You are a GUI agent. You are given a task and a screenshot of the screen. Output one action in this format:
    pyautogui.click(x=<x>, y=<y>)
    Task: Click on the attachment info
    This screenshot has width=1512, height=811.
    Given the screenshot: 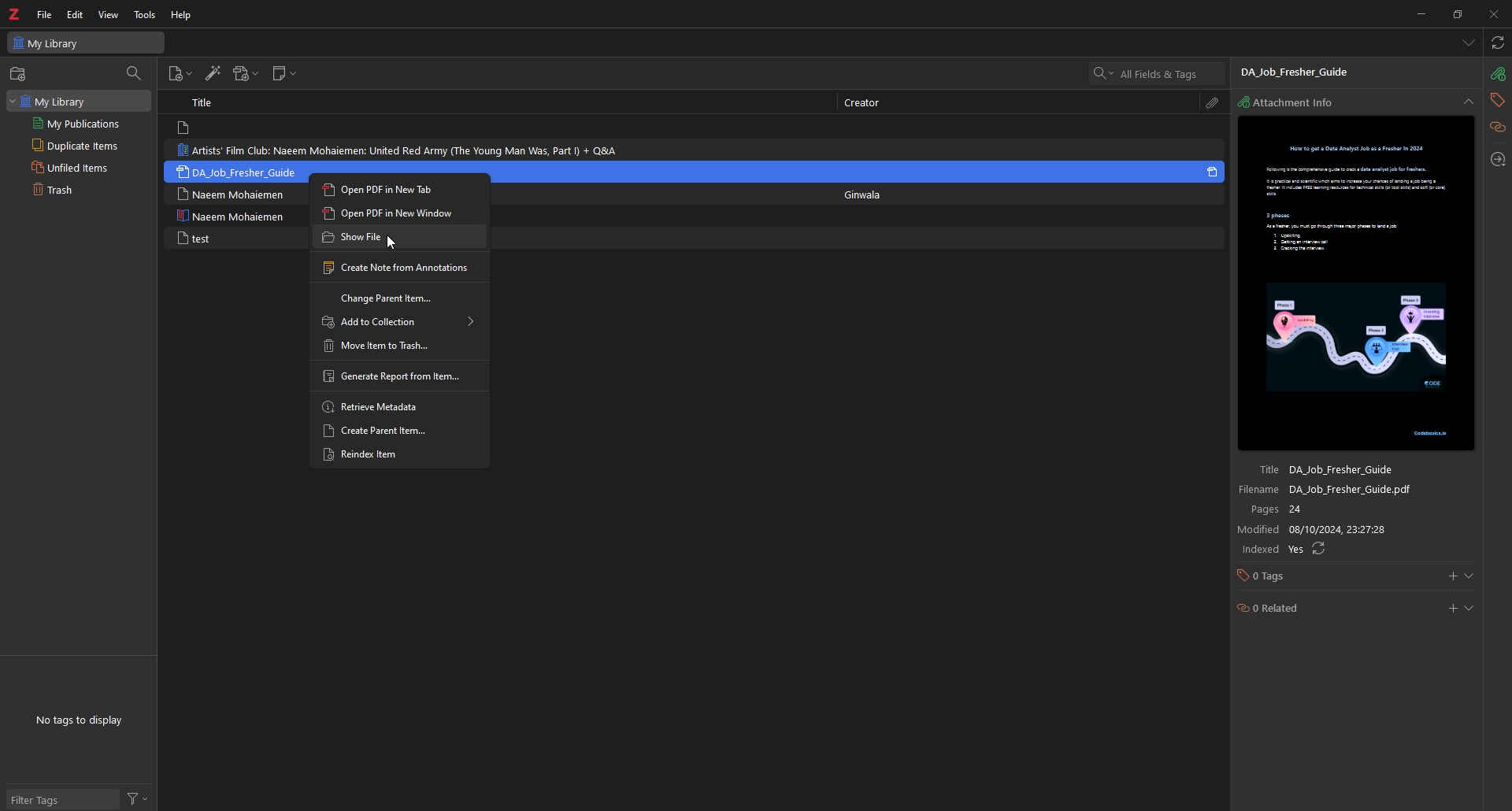 What is the action you would take?
    pyautogui.click(x=1497, y=74)
    